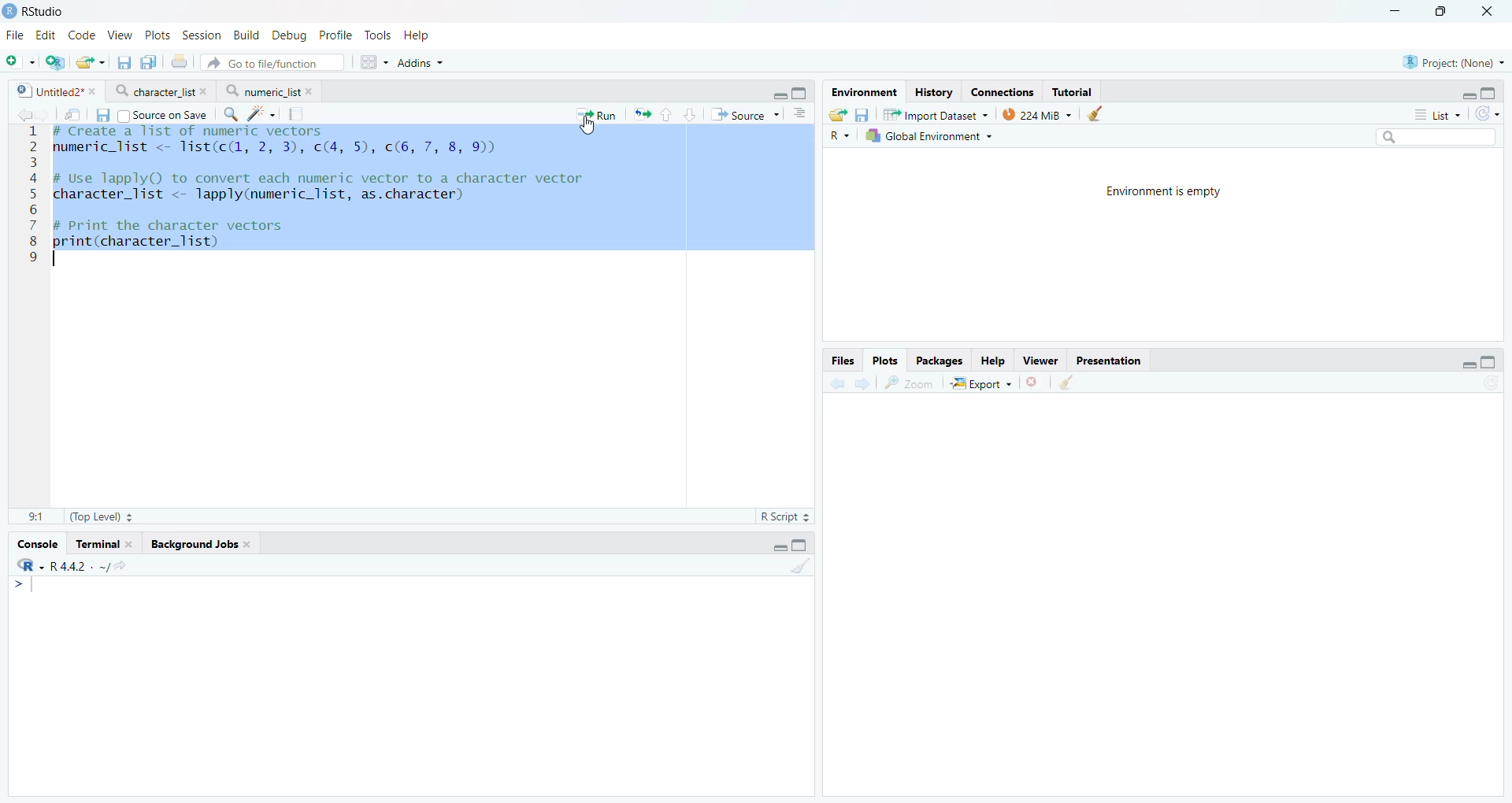 The image size is (1512, 803). What do you see at coordinates (1490, 11) in the screenshot?
I see `Close` at bounding box center [1490, 11].